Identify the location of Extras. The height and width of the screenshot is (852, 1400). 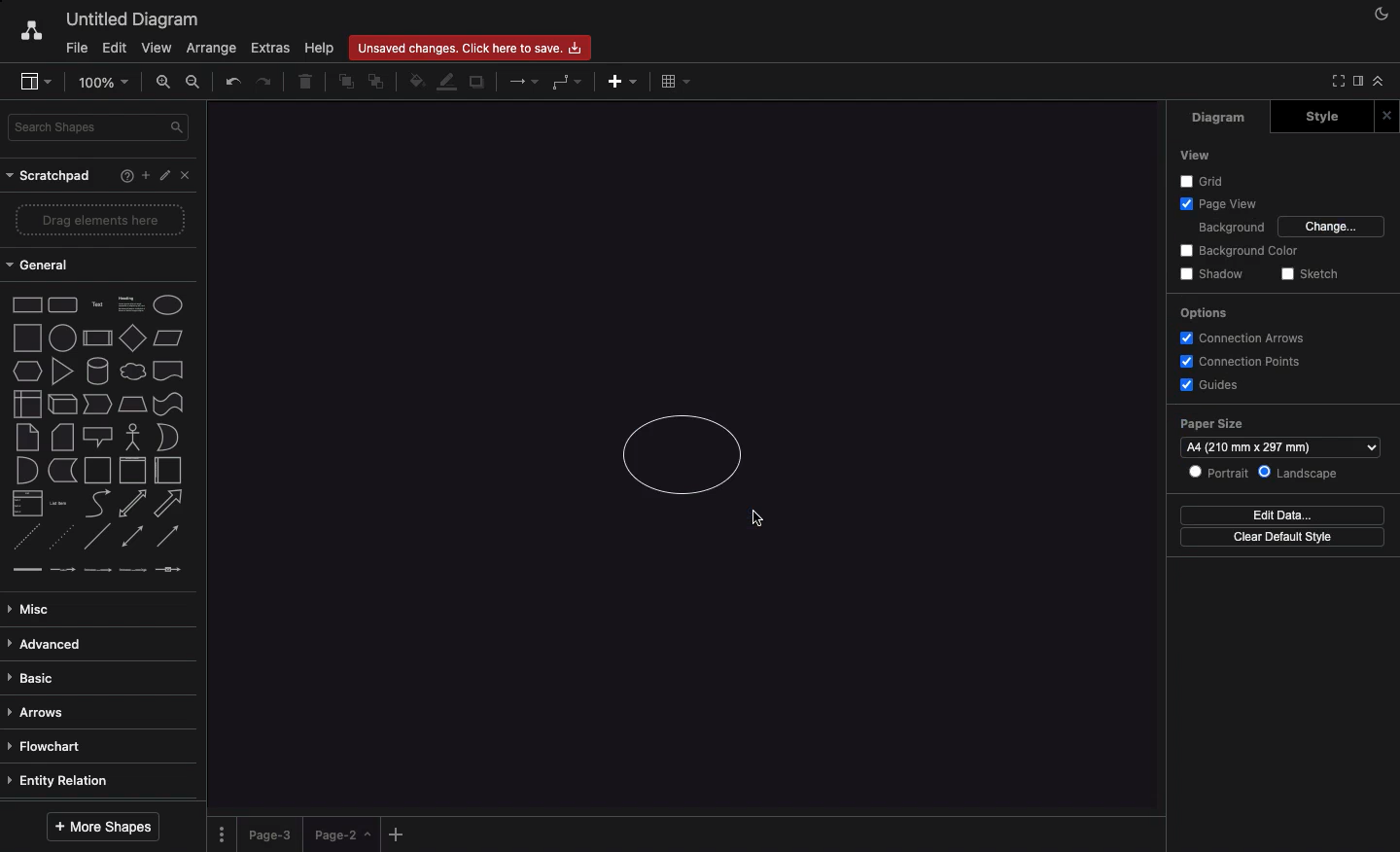
(271, 48).